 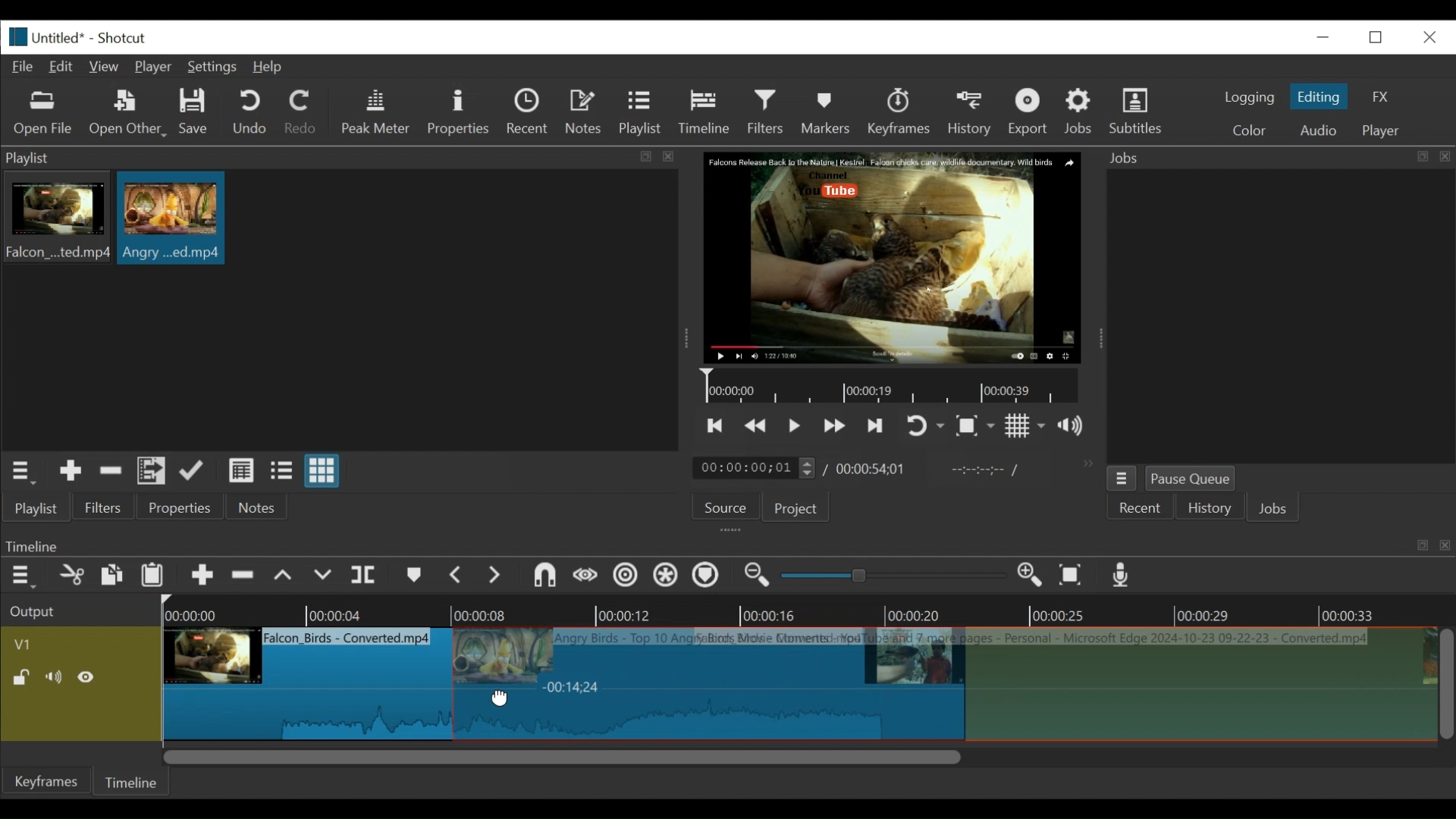 I want to click on Paste, so click(x=158, y=577).